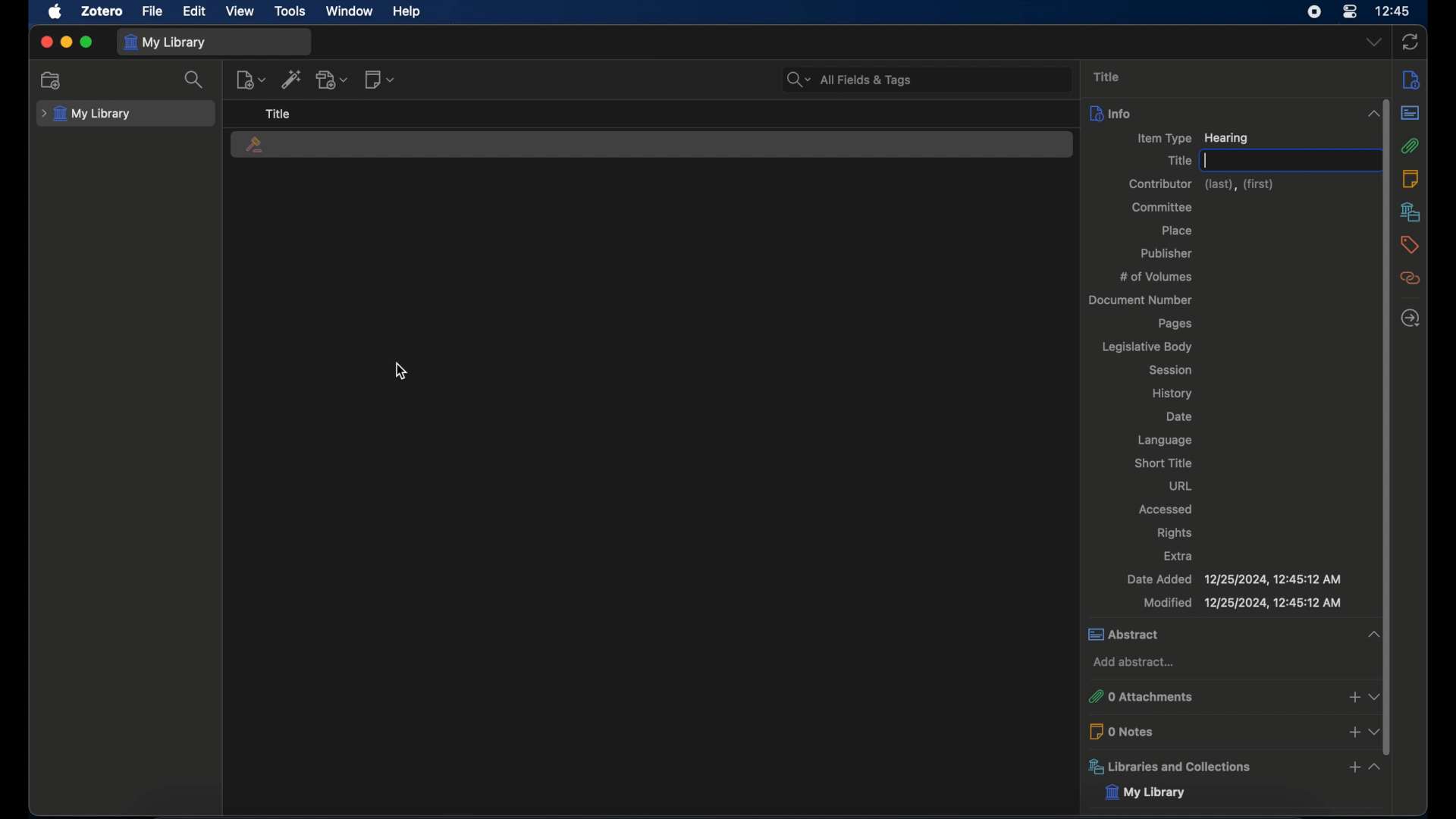  Describe the element at coordinates (251, 80) in the screenshot. I see `new item` at that location.